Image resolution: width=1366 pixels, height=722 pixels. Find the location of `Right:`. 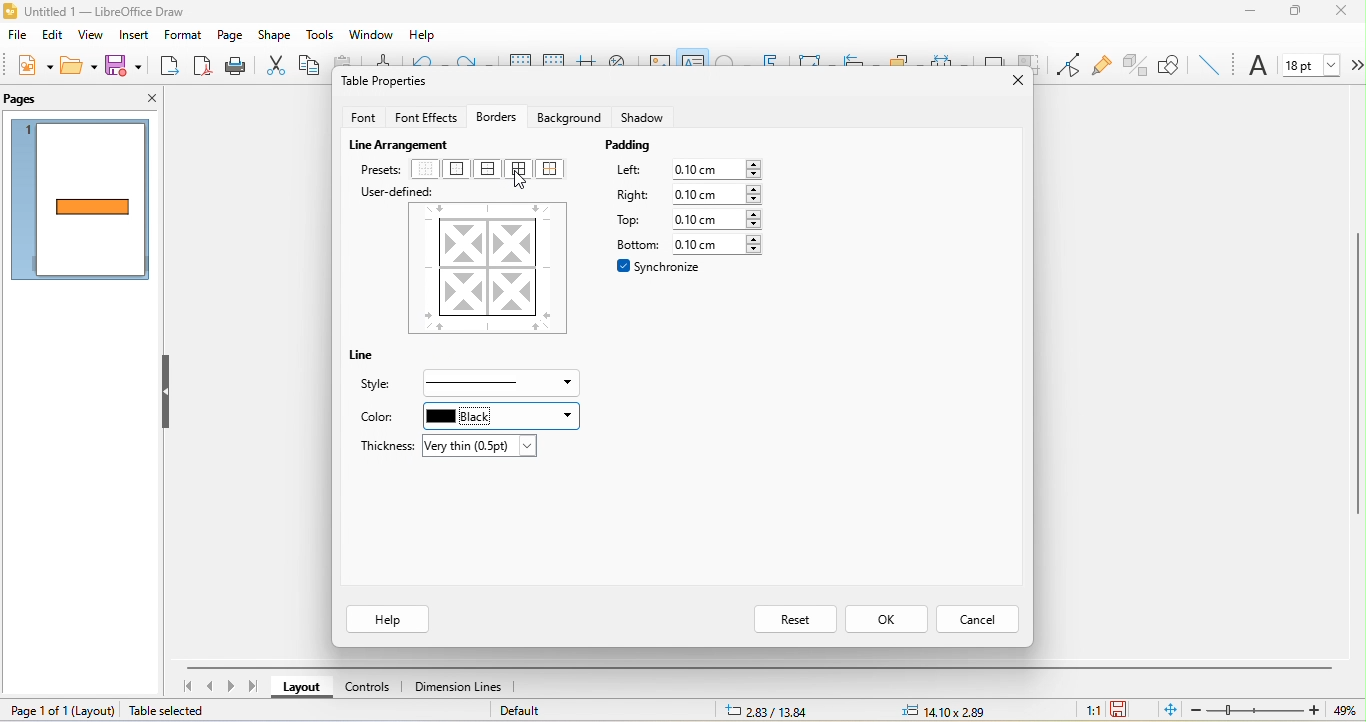

Right: is located at coordinates (631, 195).